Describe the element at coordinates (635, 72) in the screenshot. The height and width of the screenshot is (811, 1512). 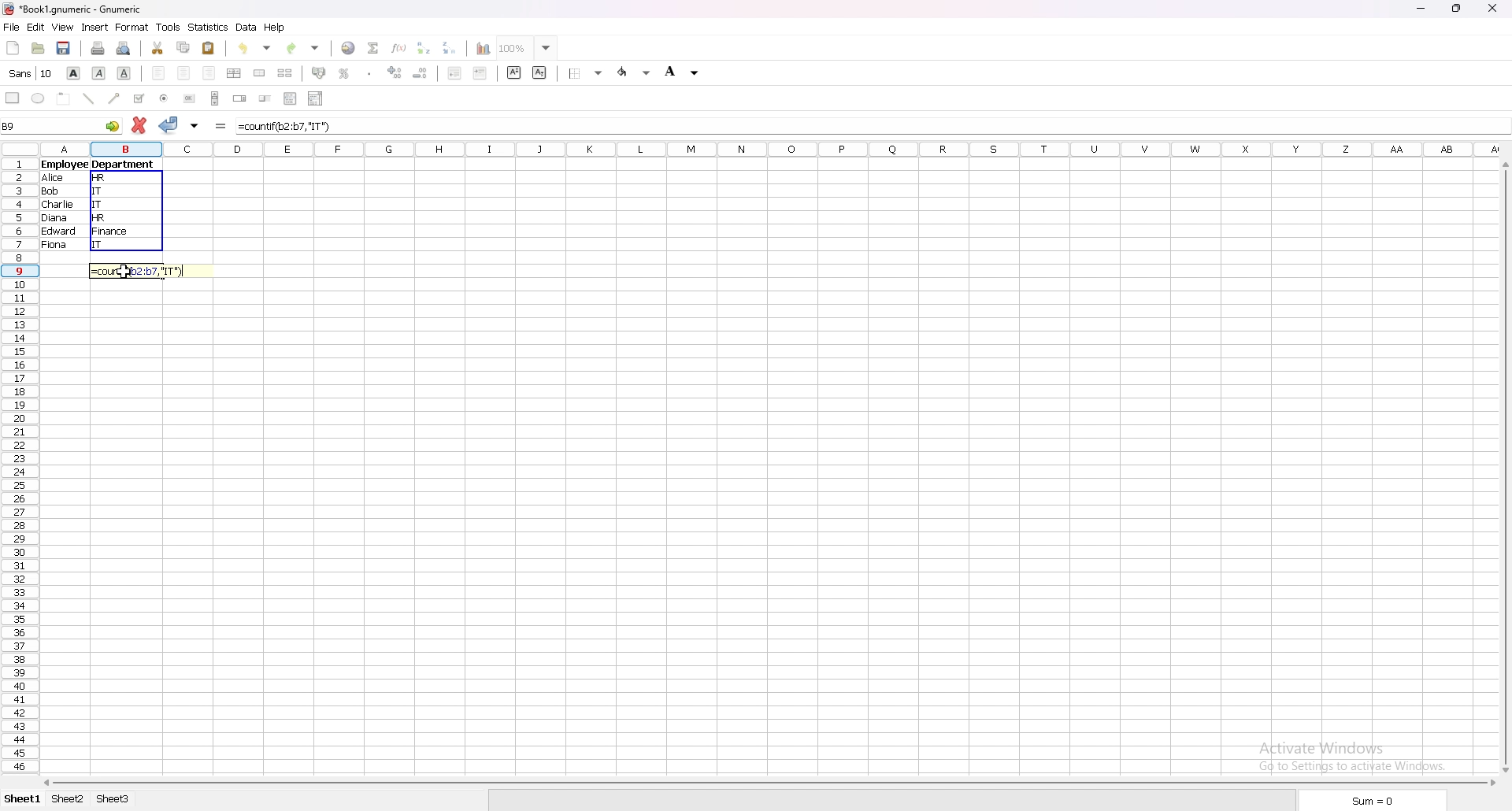
I see `foreground` at that location.